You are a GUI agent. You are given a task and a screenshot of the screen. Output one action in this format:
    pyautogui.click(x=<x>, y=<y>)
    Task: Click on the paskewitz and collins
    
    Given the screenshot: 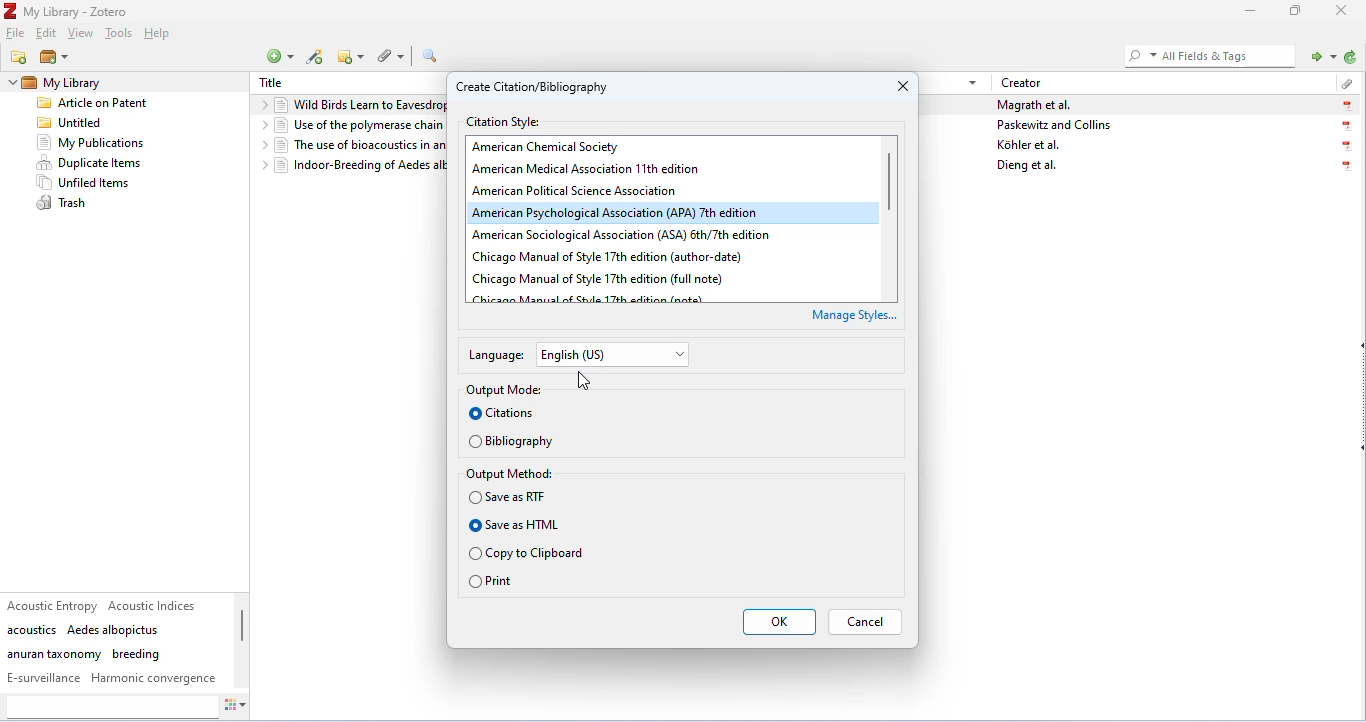 What is the action you would take?
    pyautogui.click(x=1057, y=125)
    